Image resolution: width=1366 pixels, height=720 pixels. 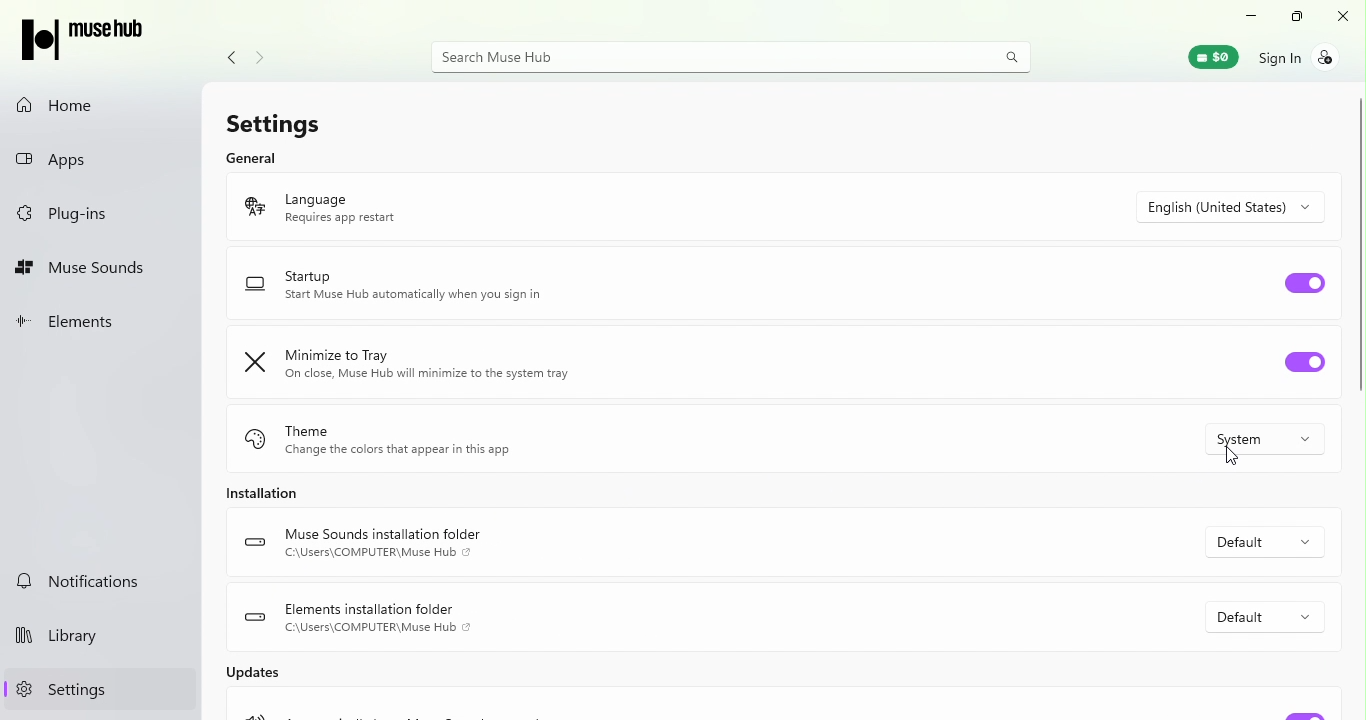 What do you see at coordinates (84, 161) in the screenshot?
I see `Apps` at bounding box center [84, 161].